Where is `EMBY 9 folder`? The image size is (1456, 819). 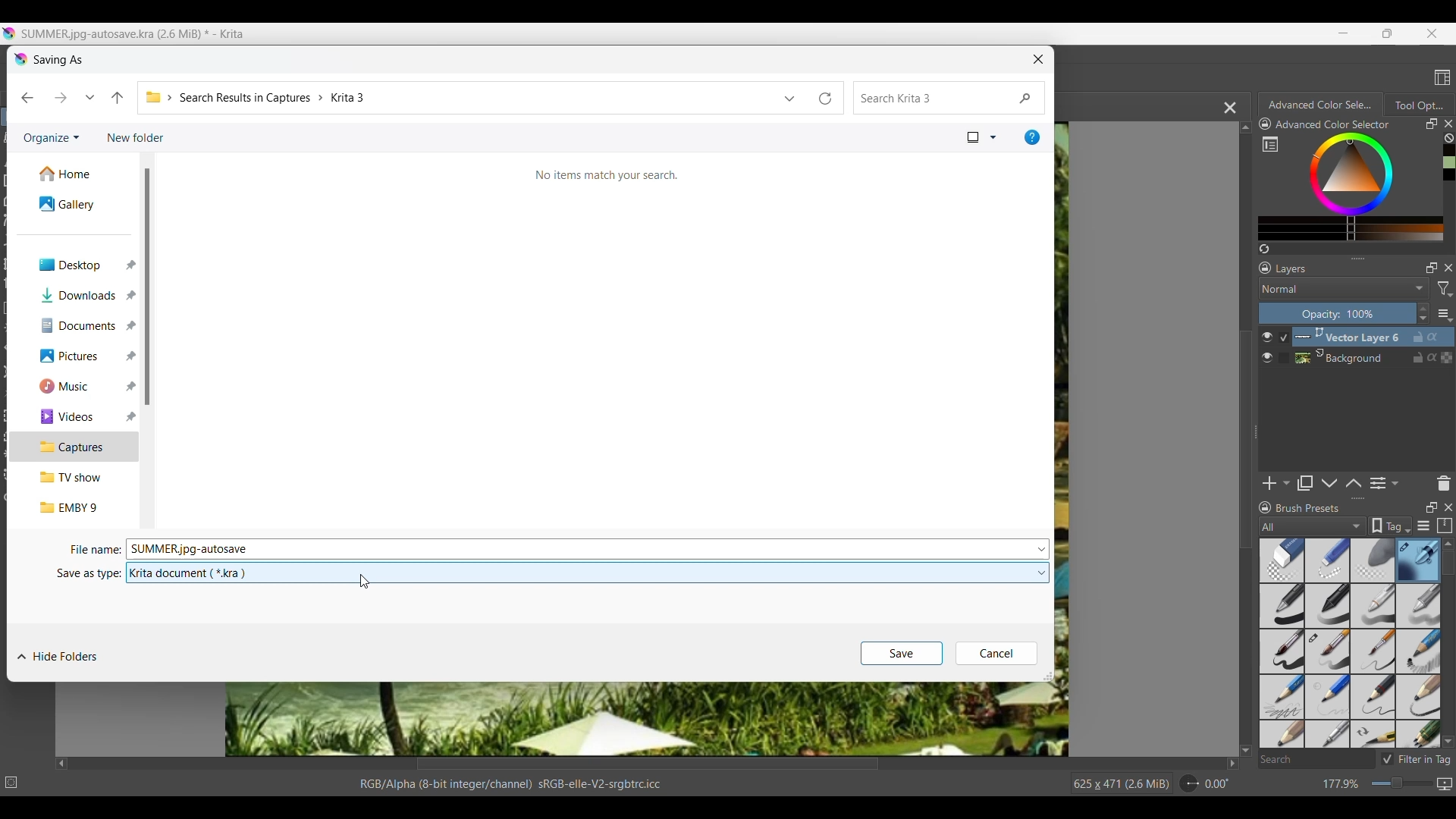
EMBY 9 folder is located at coordinates (76, 507).